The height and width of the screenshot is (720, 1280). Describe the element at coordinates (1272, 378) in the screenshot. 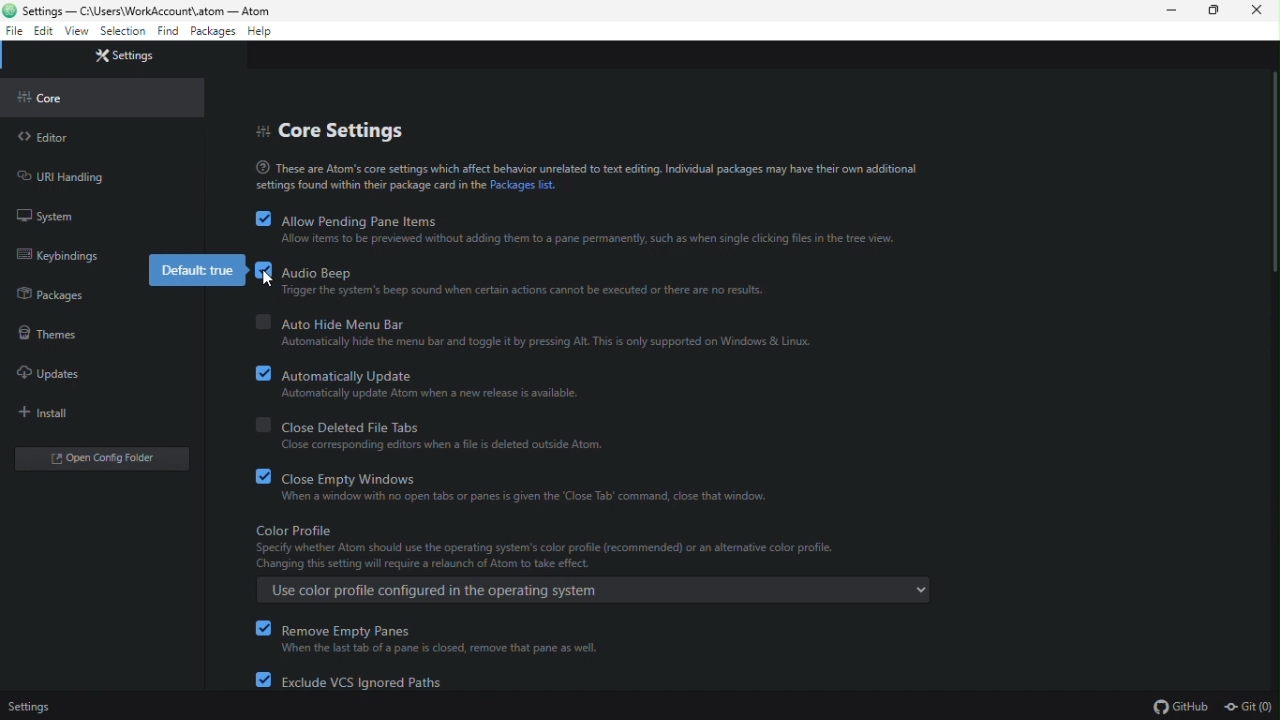

I see `Scroll bar` at that location.